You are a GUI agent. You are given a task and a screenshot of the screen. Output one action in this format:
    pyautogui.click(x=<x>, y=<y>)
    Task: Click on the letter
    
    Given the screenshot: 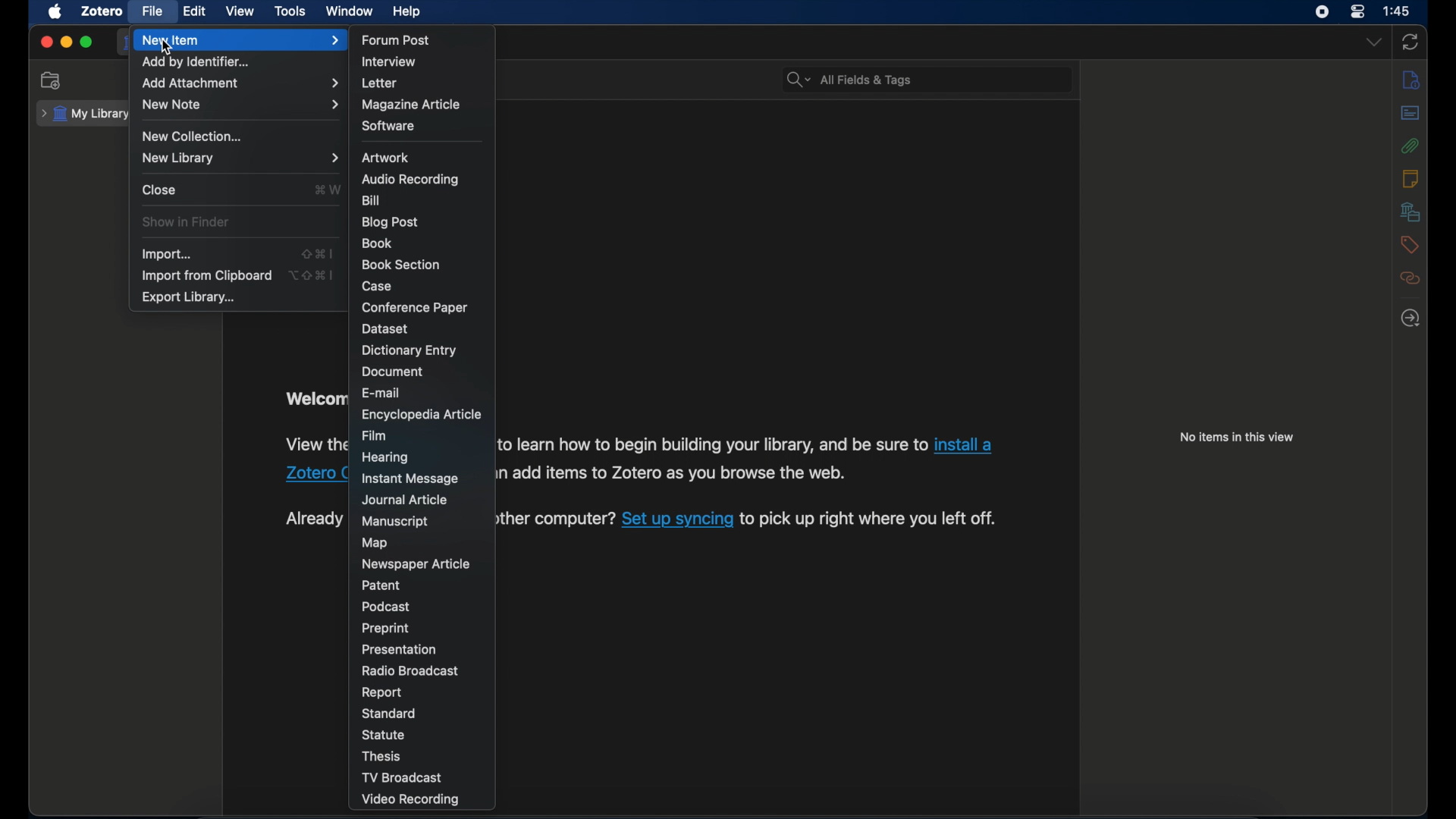 What is the action you would take?
    pyautogui.click(x=379, y=83)
    